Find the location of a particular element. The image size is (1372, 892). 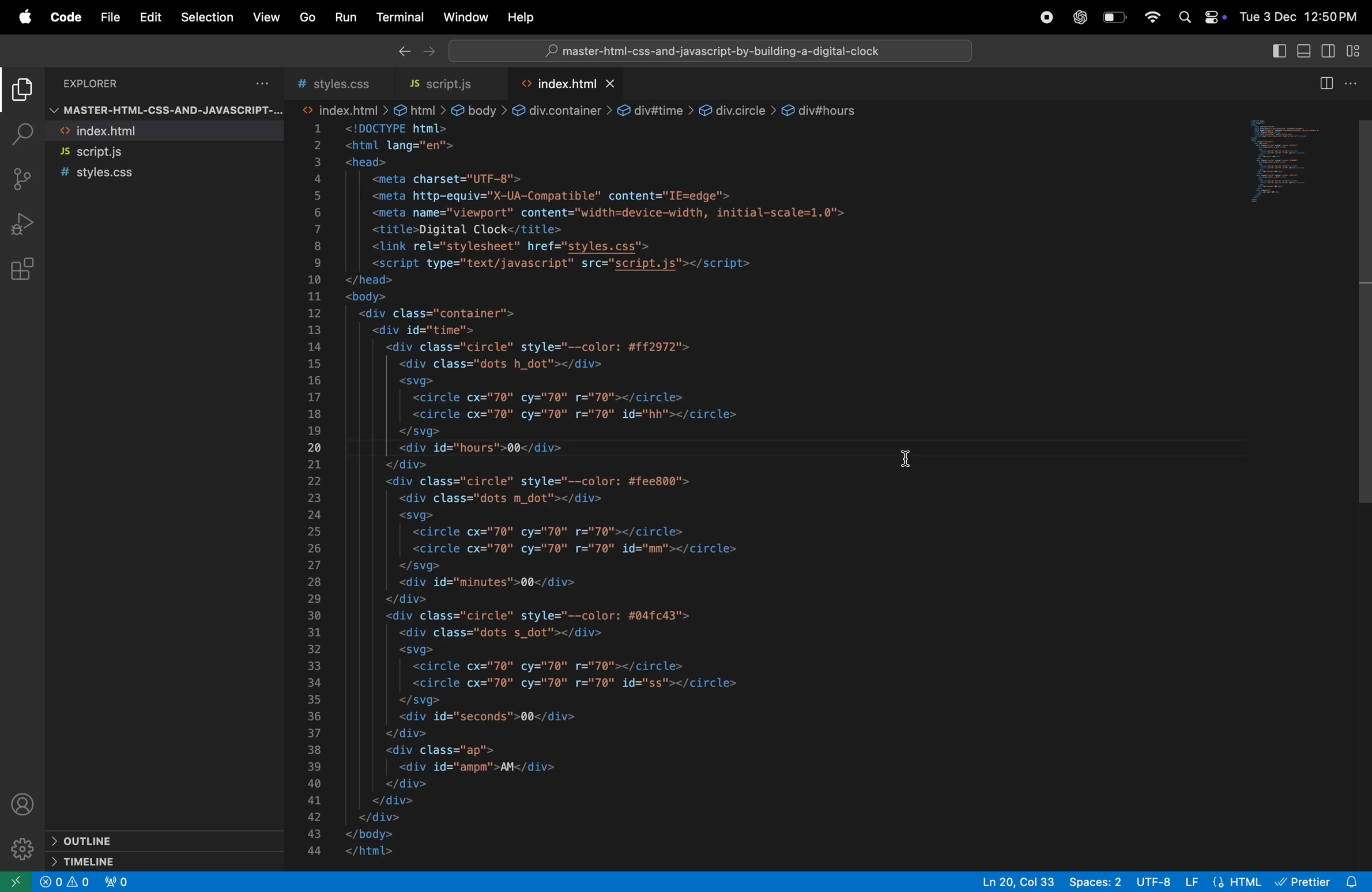

ln 1 col 1 is located at coordinates (995, 883).